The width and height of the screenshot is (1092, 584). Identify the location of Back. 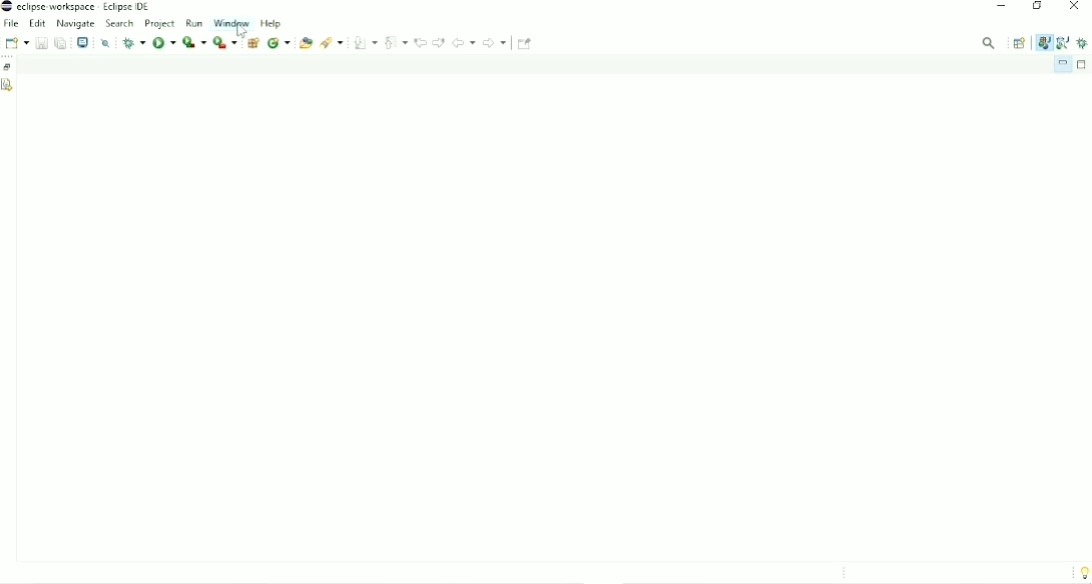
(463, 42).